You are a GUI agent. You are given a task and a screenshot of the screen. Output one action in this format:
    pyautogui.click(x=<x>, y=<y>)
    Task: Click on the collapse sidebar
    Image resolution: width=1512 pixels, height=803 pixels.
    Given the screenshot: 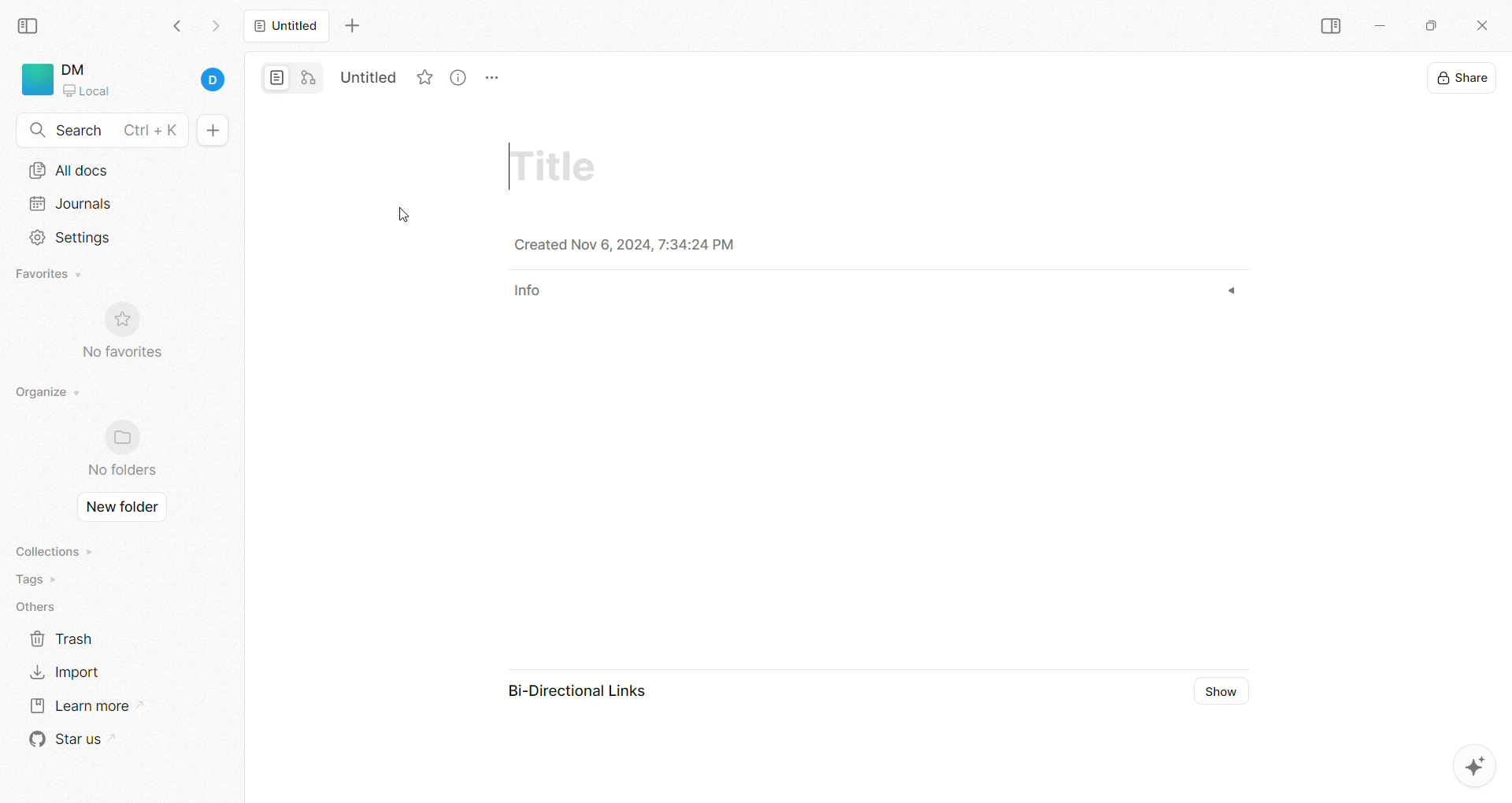 What is the action you would take?
    pyautogui.click(x=32, y=24)
    